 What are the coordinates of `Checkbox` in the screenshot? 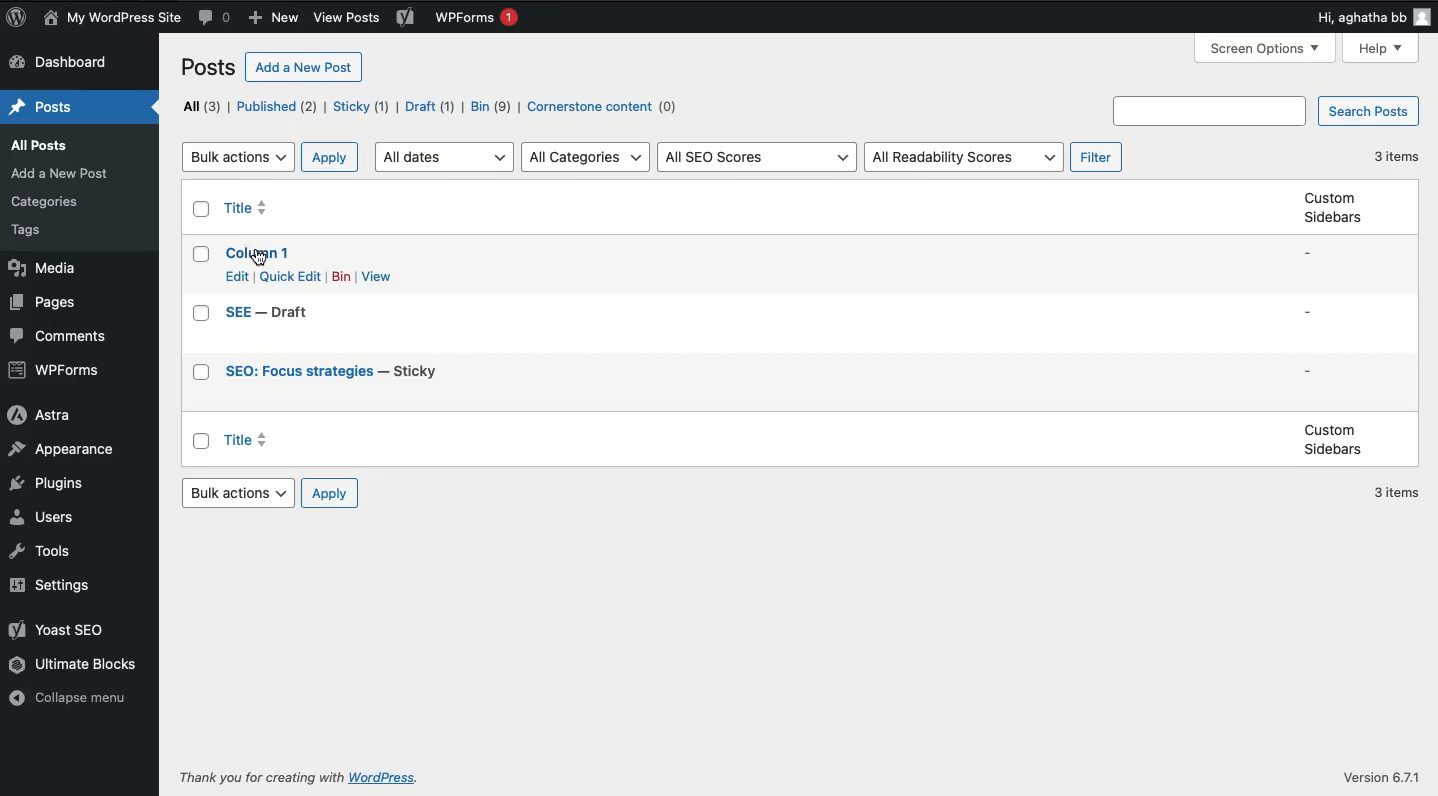 It's located at (203, 209).